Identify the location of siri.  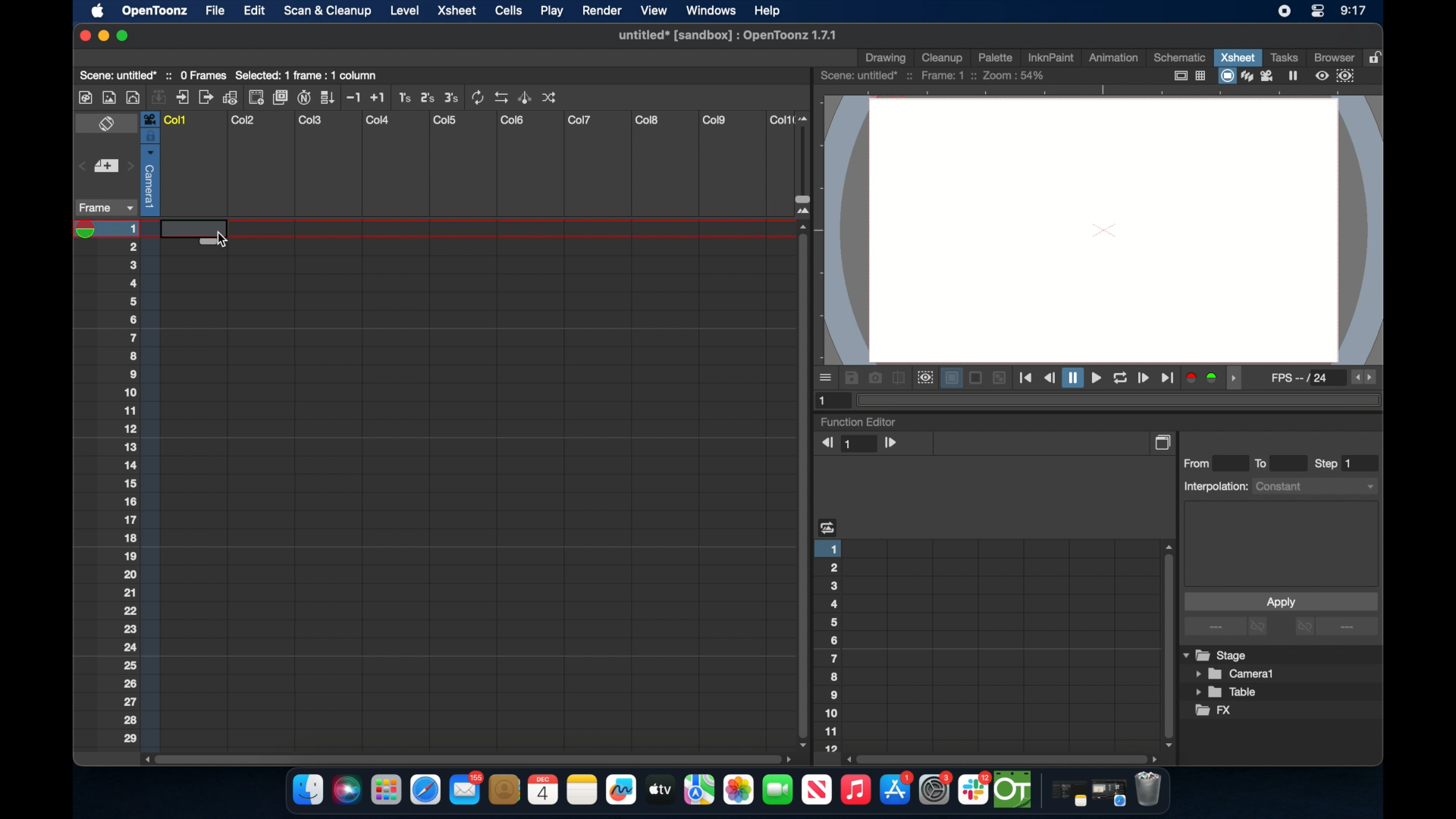
(345, 790).